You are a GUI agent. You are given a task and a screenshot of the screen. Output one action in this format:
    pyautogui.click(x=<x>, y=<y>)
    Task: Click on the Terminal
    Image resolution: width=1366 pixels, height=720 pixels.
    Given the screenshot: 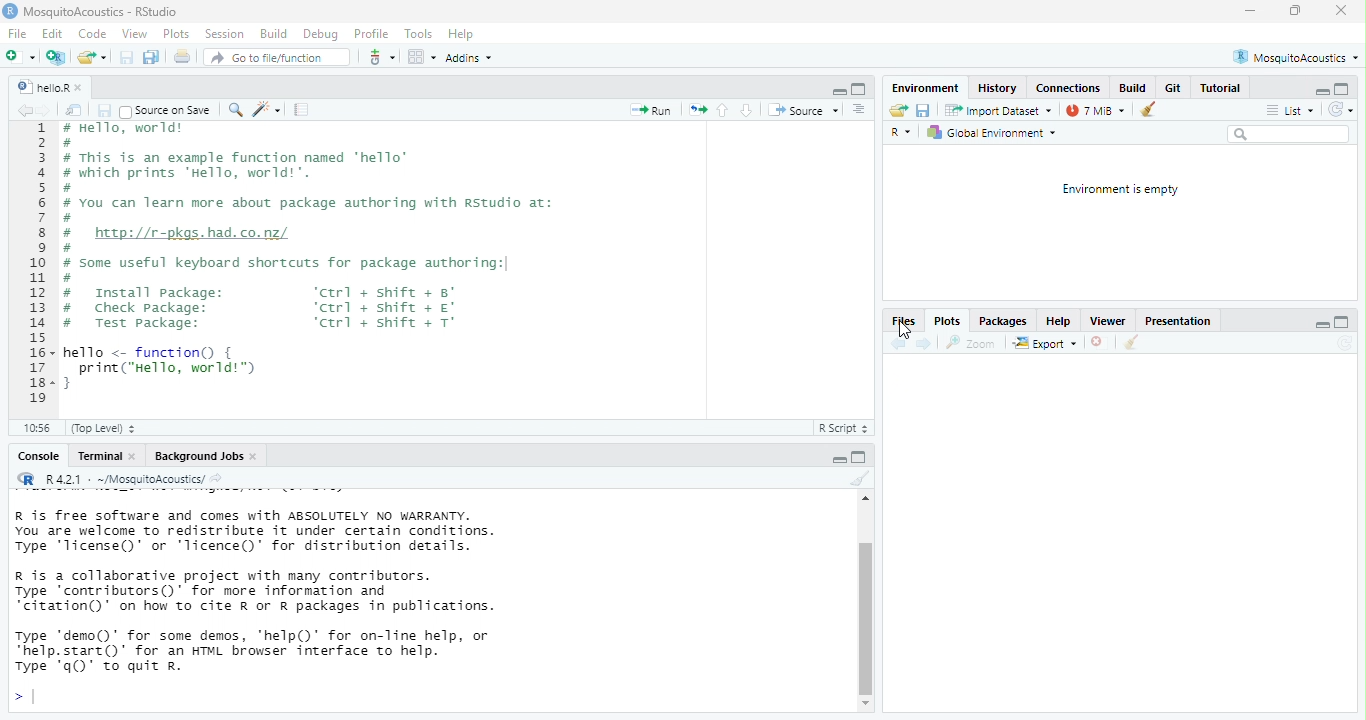 What is the action you would take?
    pyautogui.click(x=99, y=457)
    